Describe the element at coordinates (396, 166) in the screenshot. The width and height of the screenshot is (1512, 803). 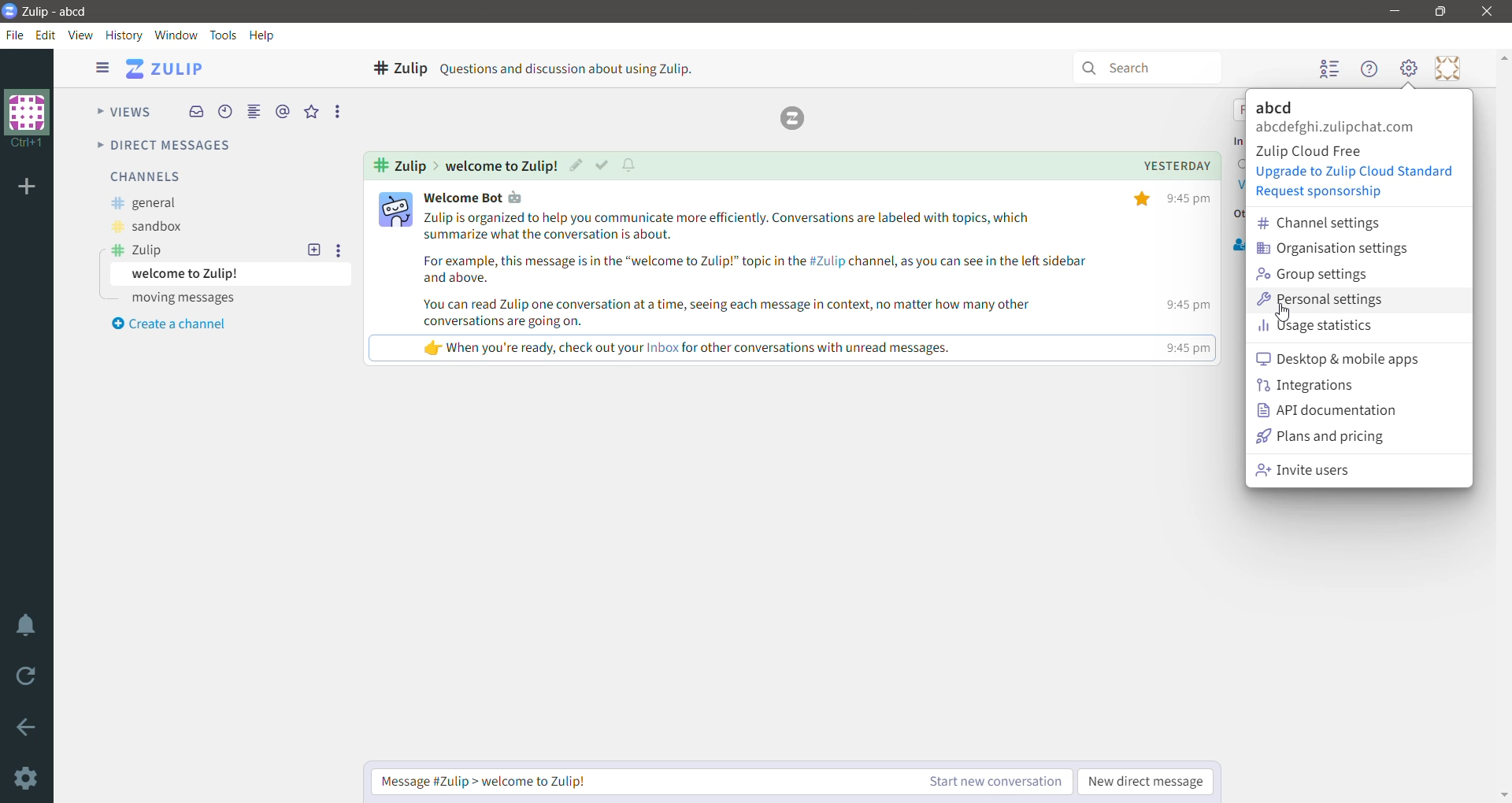
I see `Channel - Zulip` at that location.